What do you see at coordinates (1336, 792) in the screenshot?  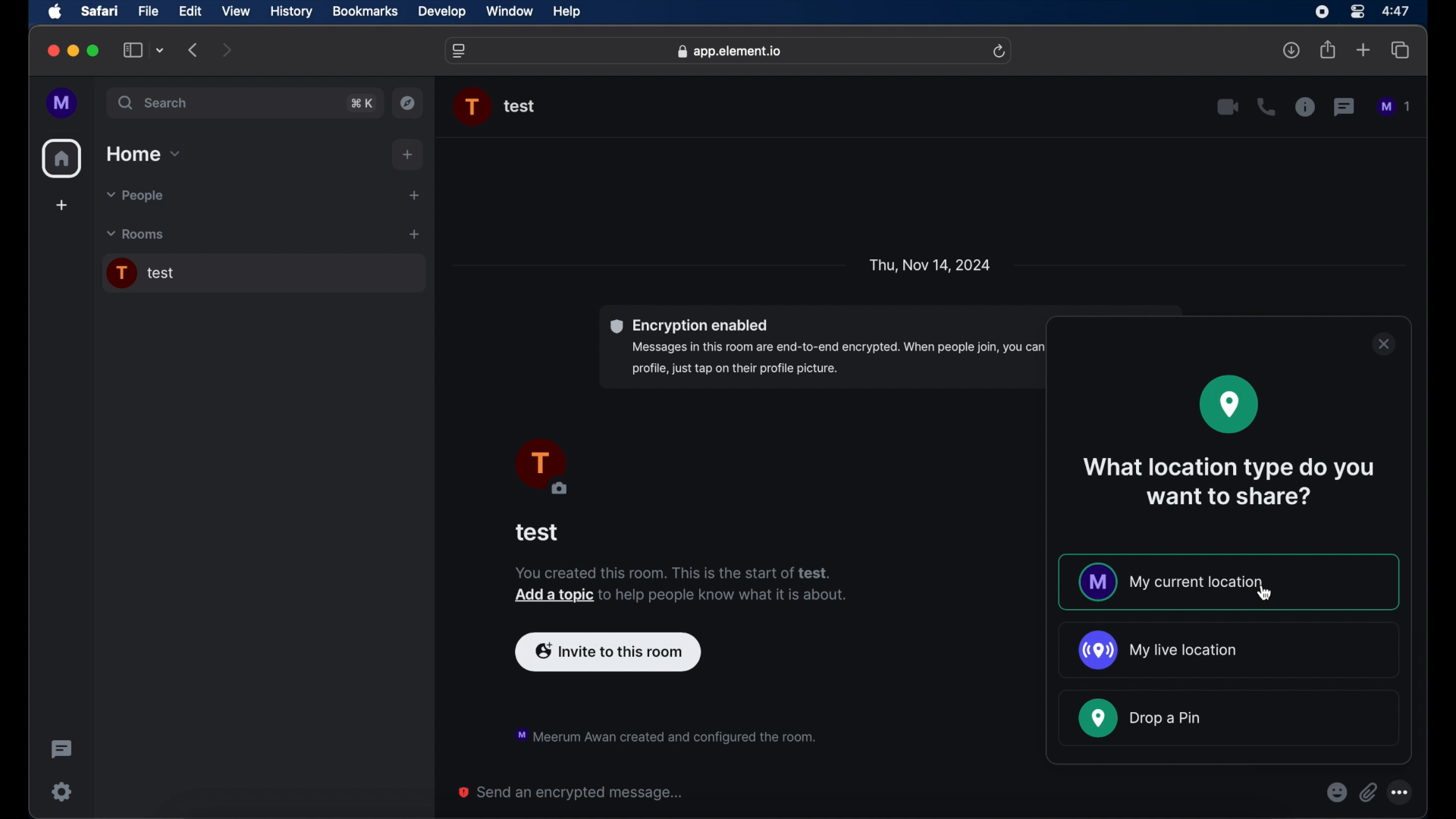 I see `Emojis` at bounding box center [1336, 792].